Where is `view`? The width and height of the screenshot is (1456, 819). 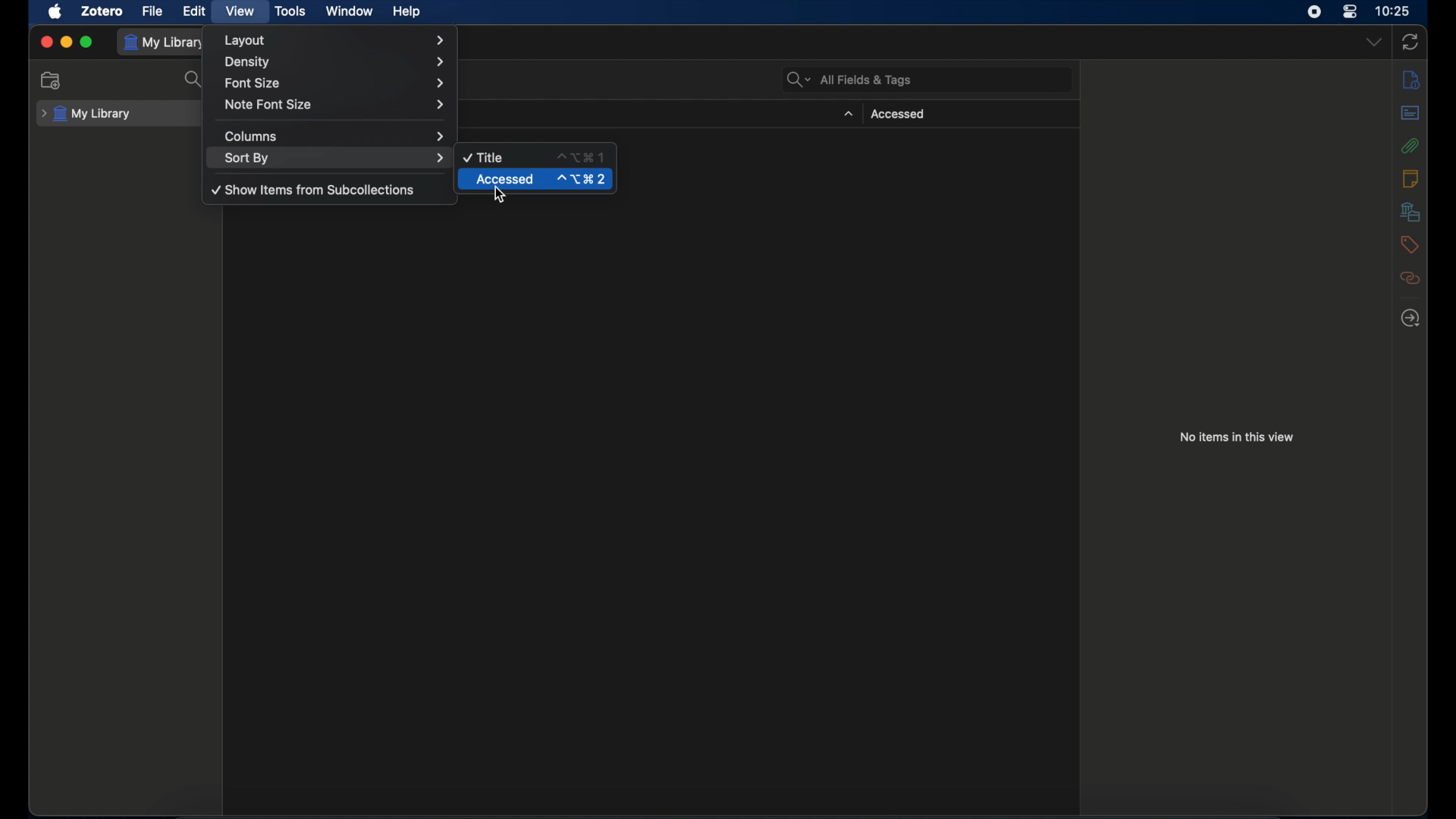 view is located at coordinates (240, 11).